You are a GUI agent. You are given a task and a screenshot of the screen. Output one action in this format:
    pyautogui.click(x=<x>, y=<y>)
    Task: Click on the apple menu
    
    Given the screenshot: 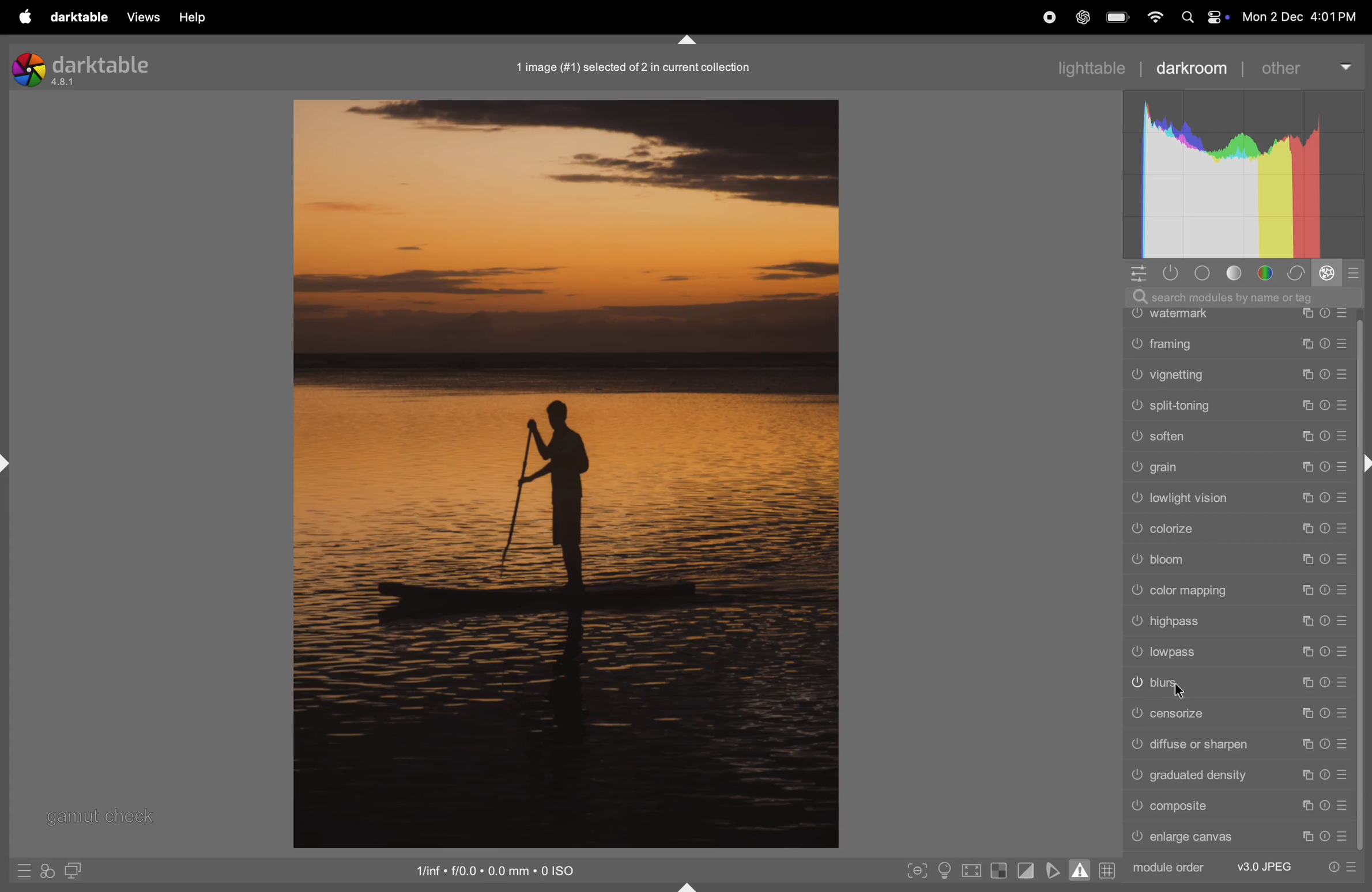 What is the action you would take?
    pyautogui.click(x=27, y=17)
    